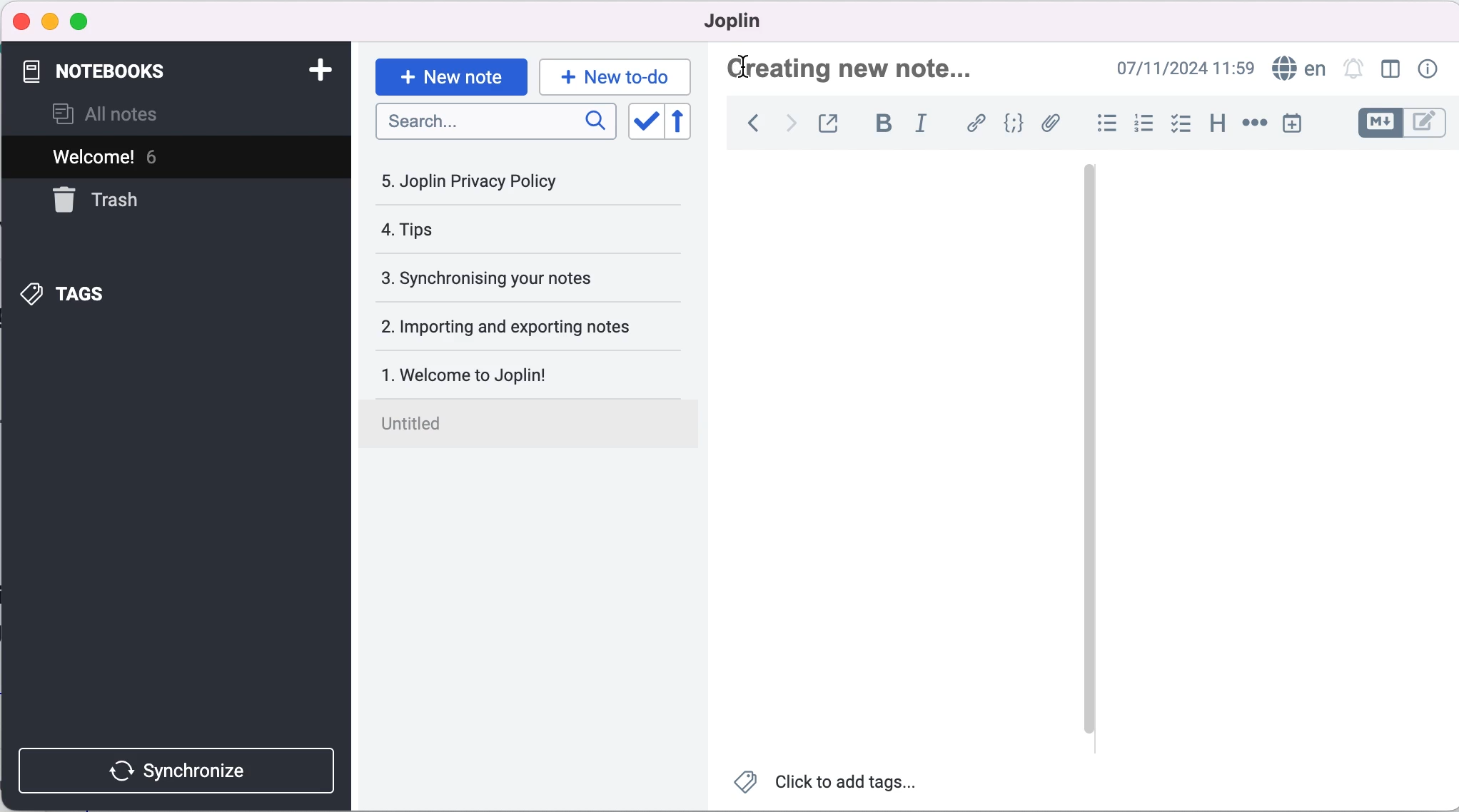 Image resolution: width=1459 pixels, height=812 pixels. What do you see at coordinates (450, 73) in the screenshot?
I see `new note` at bounding box center [450, 73].